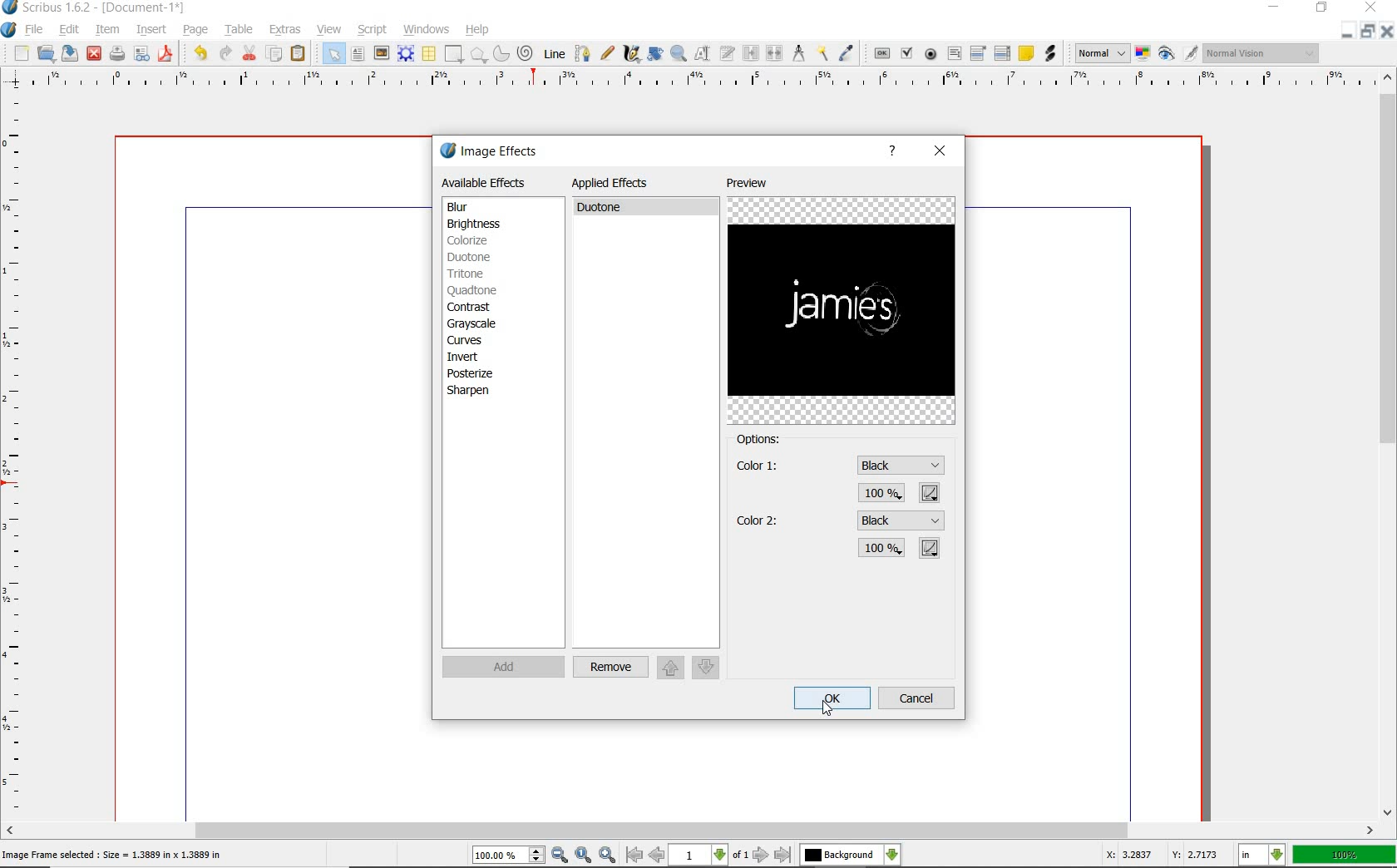 The width and height of the screenshot is (1397, 868). What do you see at coordinates (1101, 55) in the screenshot?
I see `select image preview mode` at bounding box center [1101, 55].